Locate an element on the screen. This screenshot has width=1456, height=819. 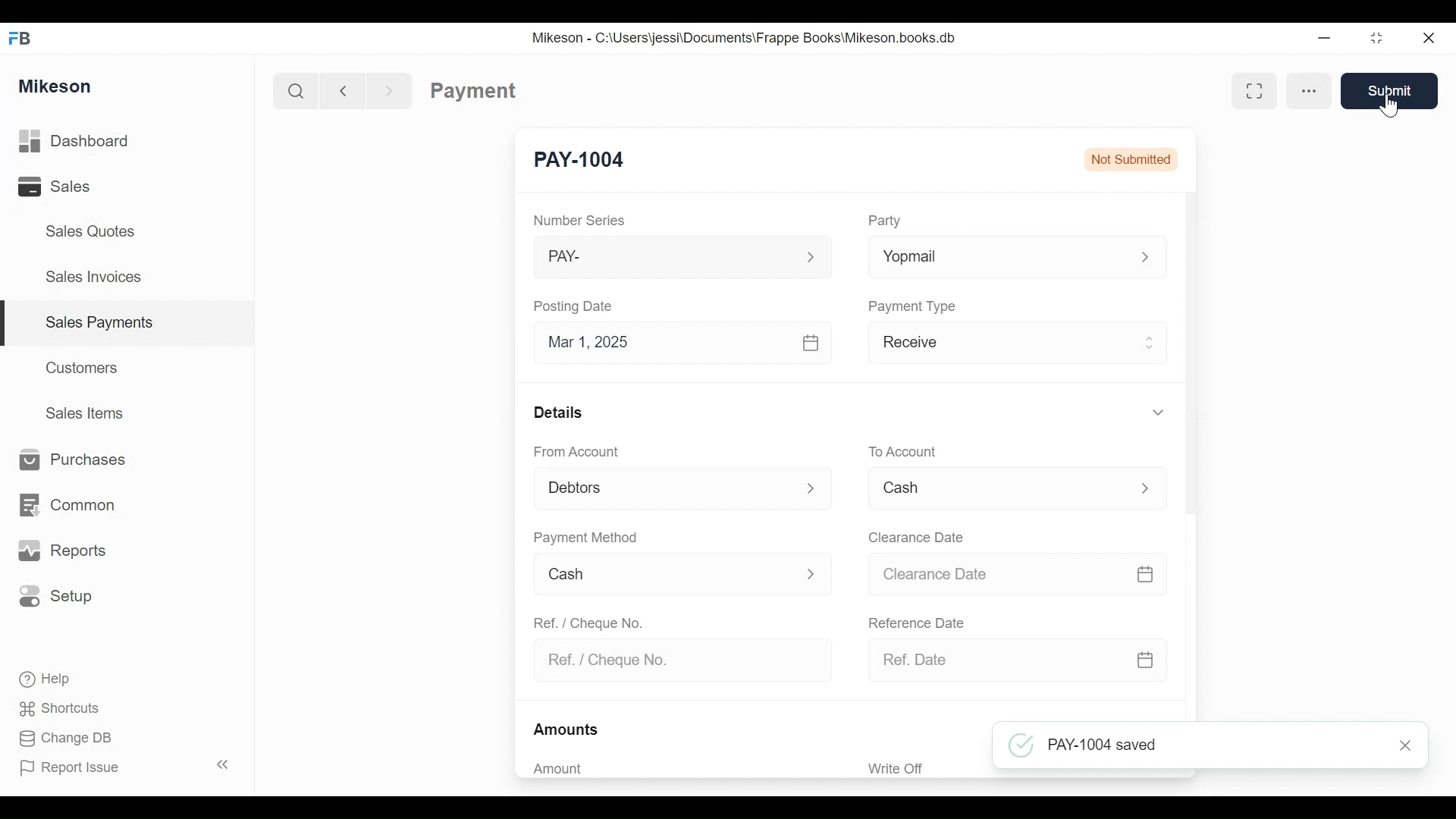
Customers is located at coordinates (86, 366).